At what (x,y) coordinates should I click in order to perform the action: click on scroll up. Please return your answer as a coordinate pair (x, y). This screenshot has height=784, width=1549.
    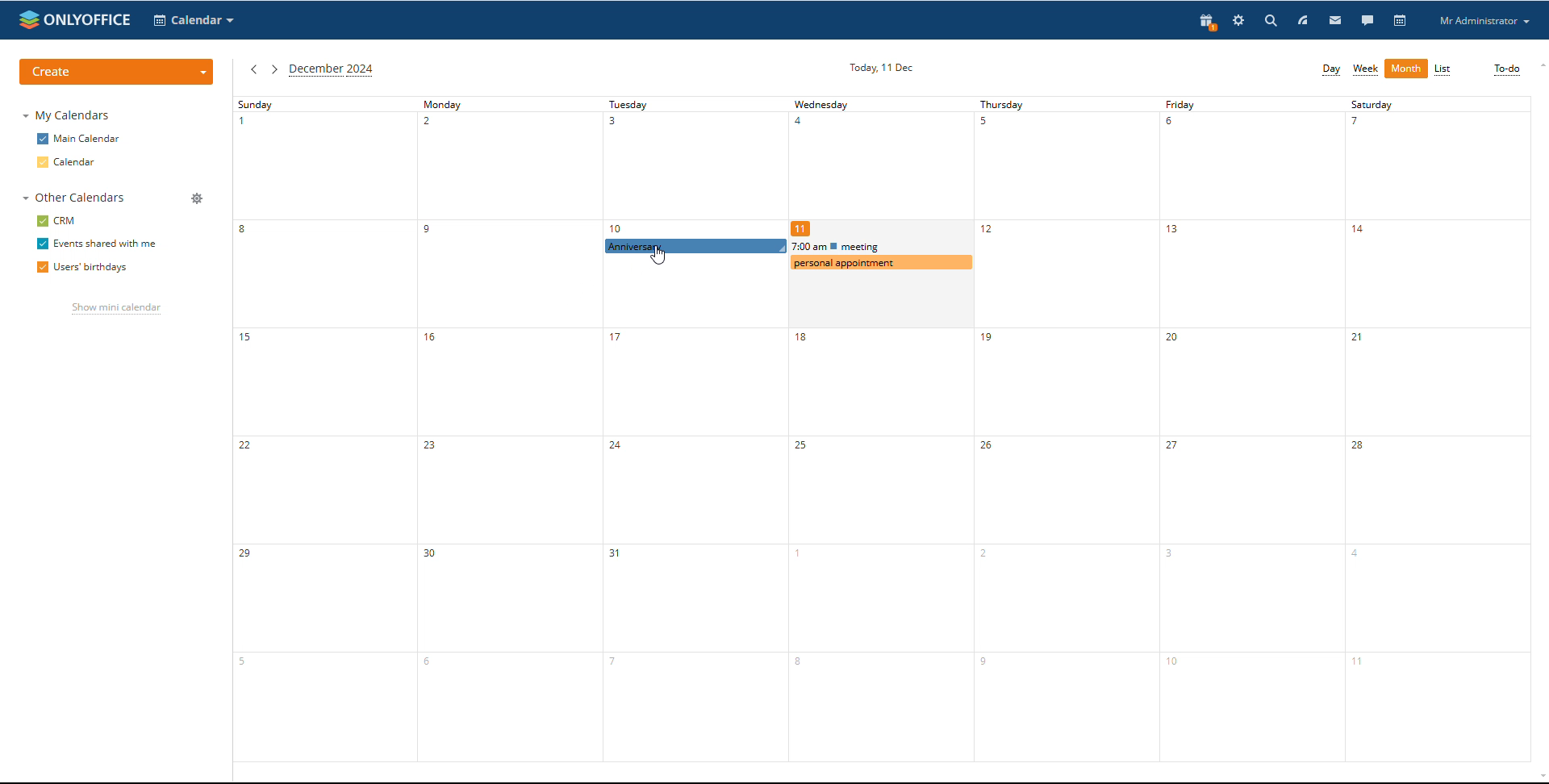
    Looking at the image, I should click on (1539, 65).